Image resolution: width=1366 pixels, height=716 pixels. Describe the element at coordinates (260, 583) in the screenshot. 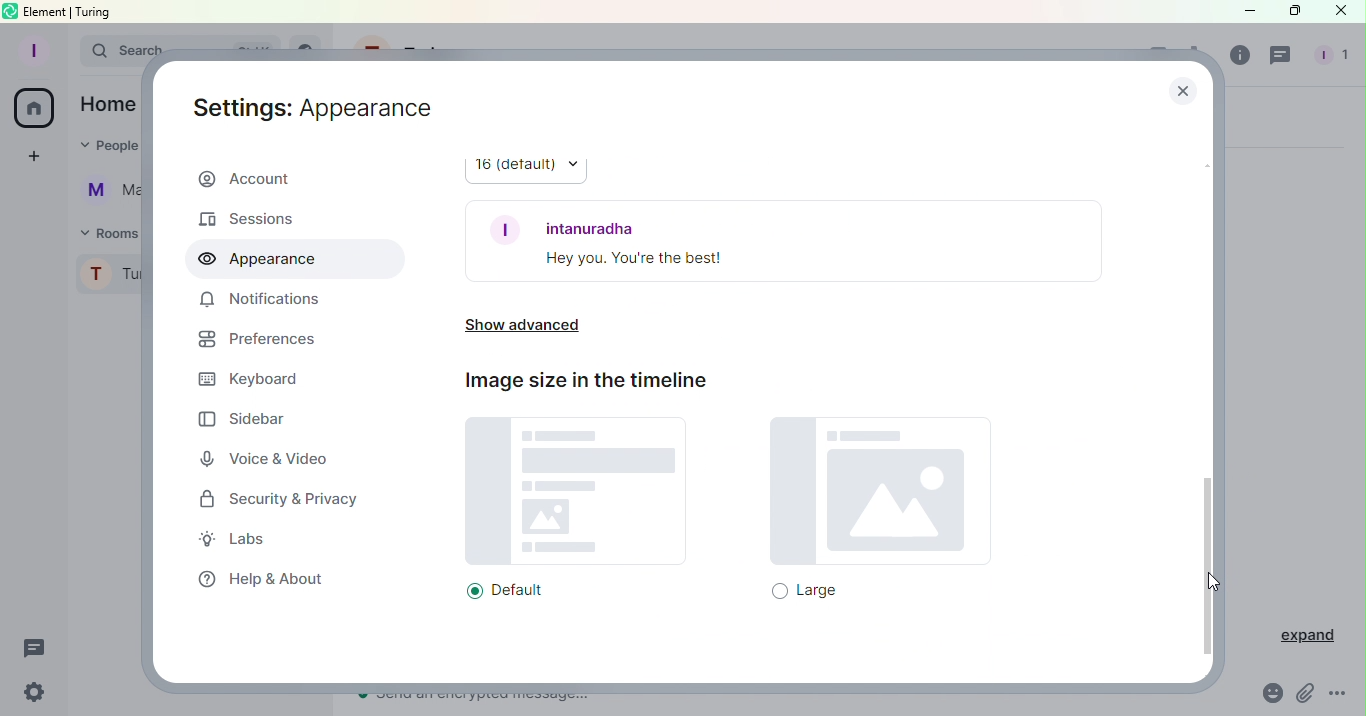

I see `Help and about` at that location.